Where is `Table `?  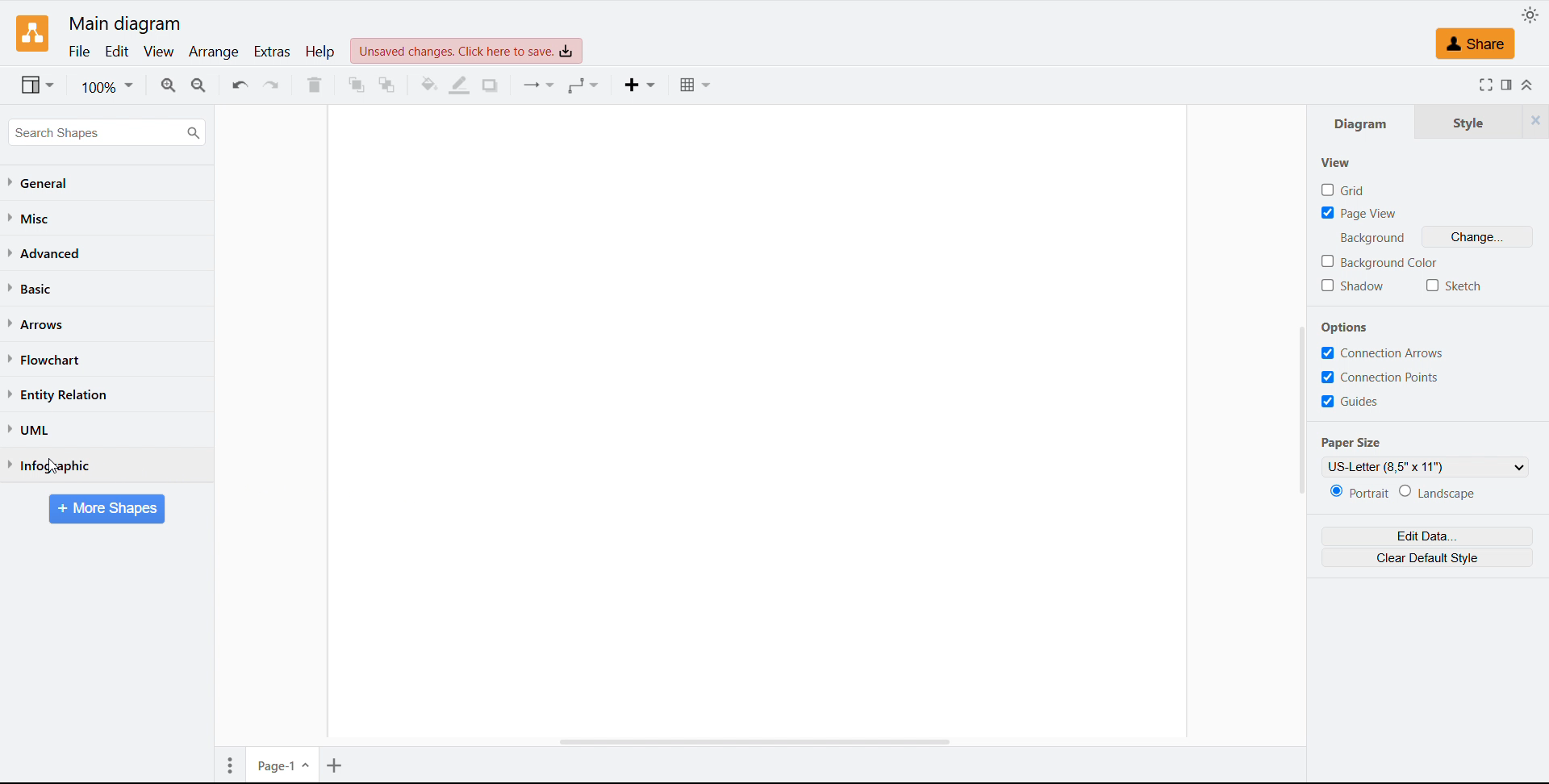
Table  is located at coordinates (695, 85).